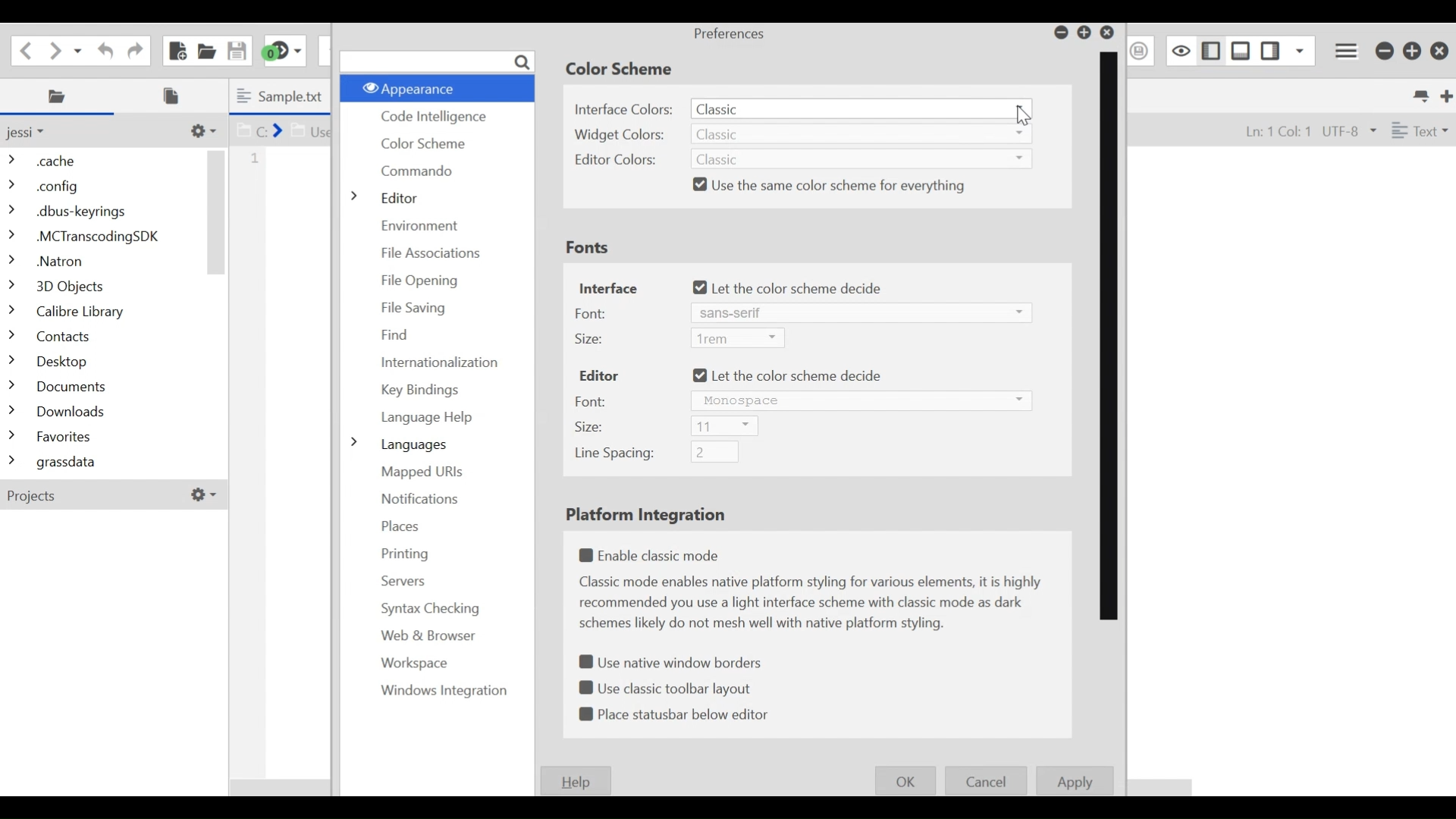 The image size is (1456, 819). What do you see at coordinates (217, 212) in the screenshot?
I see `Vertical Scroll bar` at bounding box center [217, 212].